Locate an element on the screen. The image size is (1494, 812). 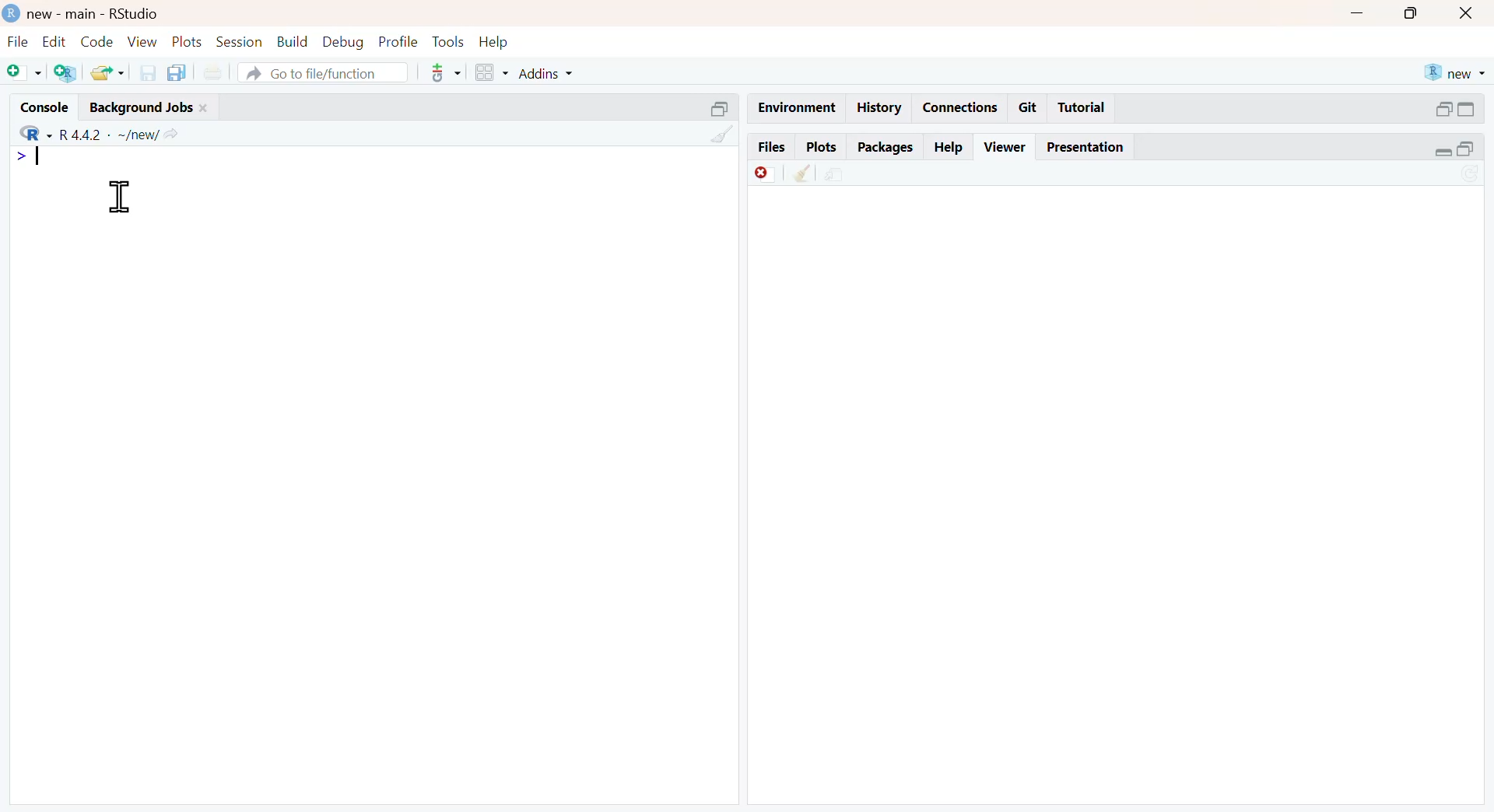
session is located at coordinates (238, 42).